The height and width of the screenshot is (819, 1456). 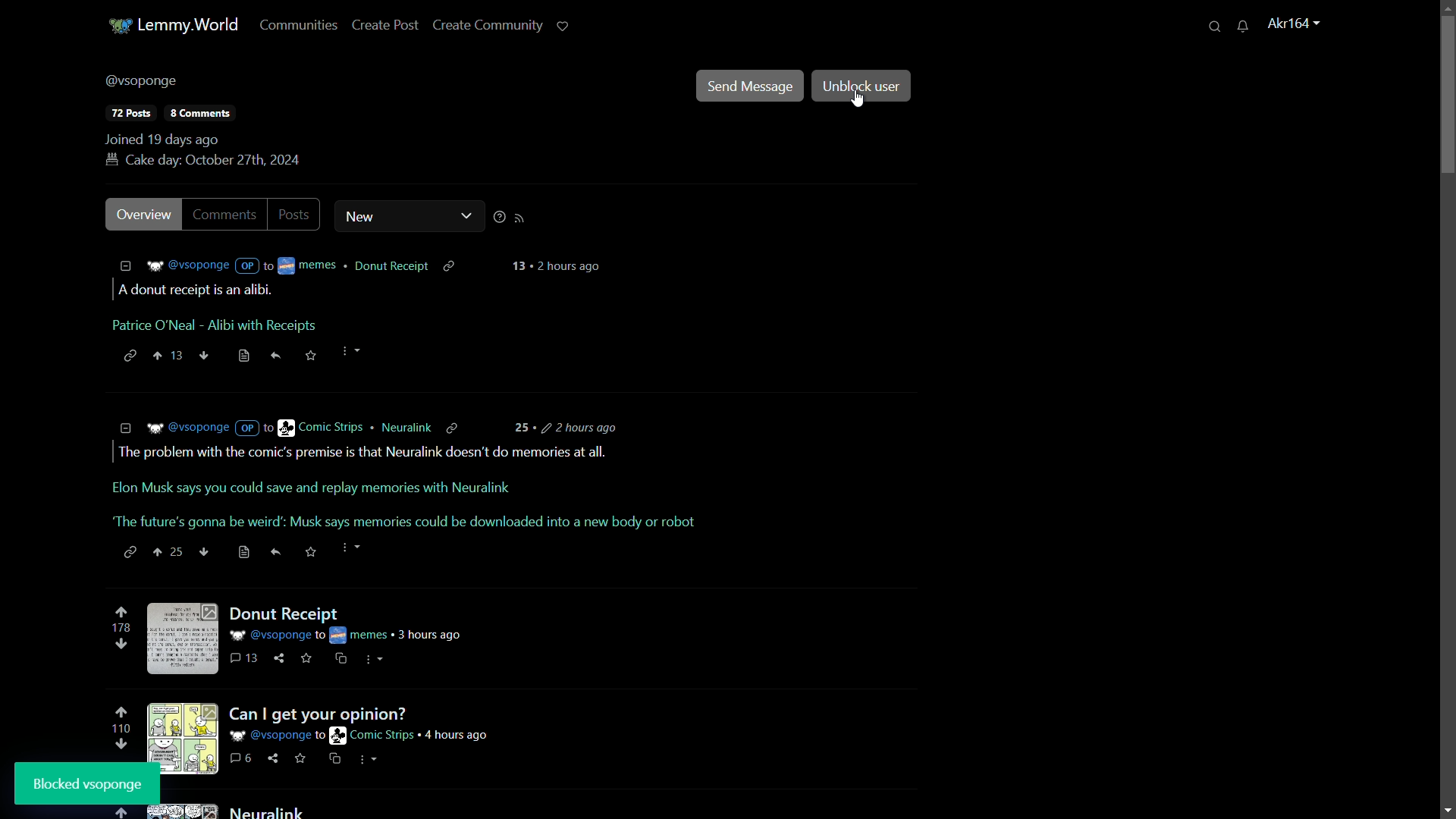 What do you see at coordinates (499, 218) in the screenshot?
I see `sorting help` at bounding box center [499, 218].